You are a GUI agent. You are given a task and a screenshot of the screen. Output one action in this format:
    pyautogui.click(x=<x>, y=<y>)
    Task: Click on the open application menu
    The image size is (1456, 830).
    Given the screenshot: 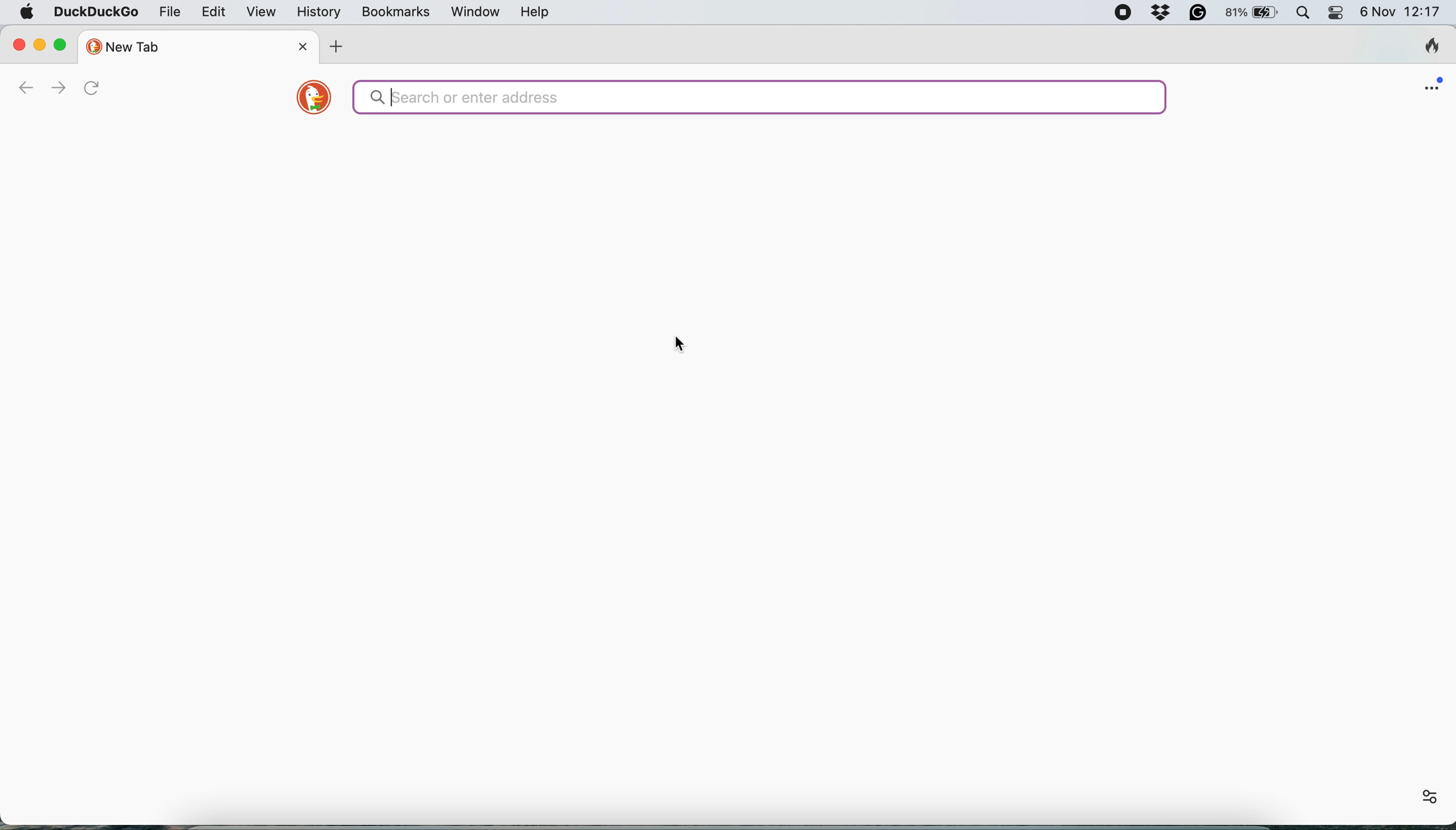 What is the action you would take?
    pyautogui.click(x=1427, y=87)
    